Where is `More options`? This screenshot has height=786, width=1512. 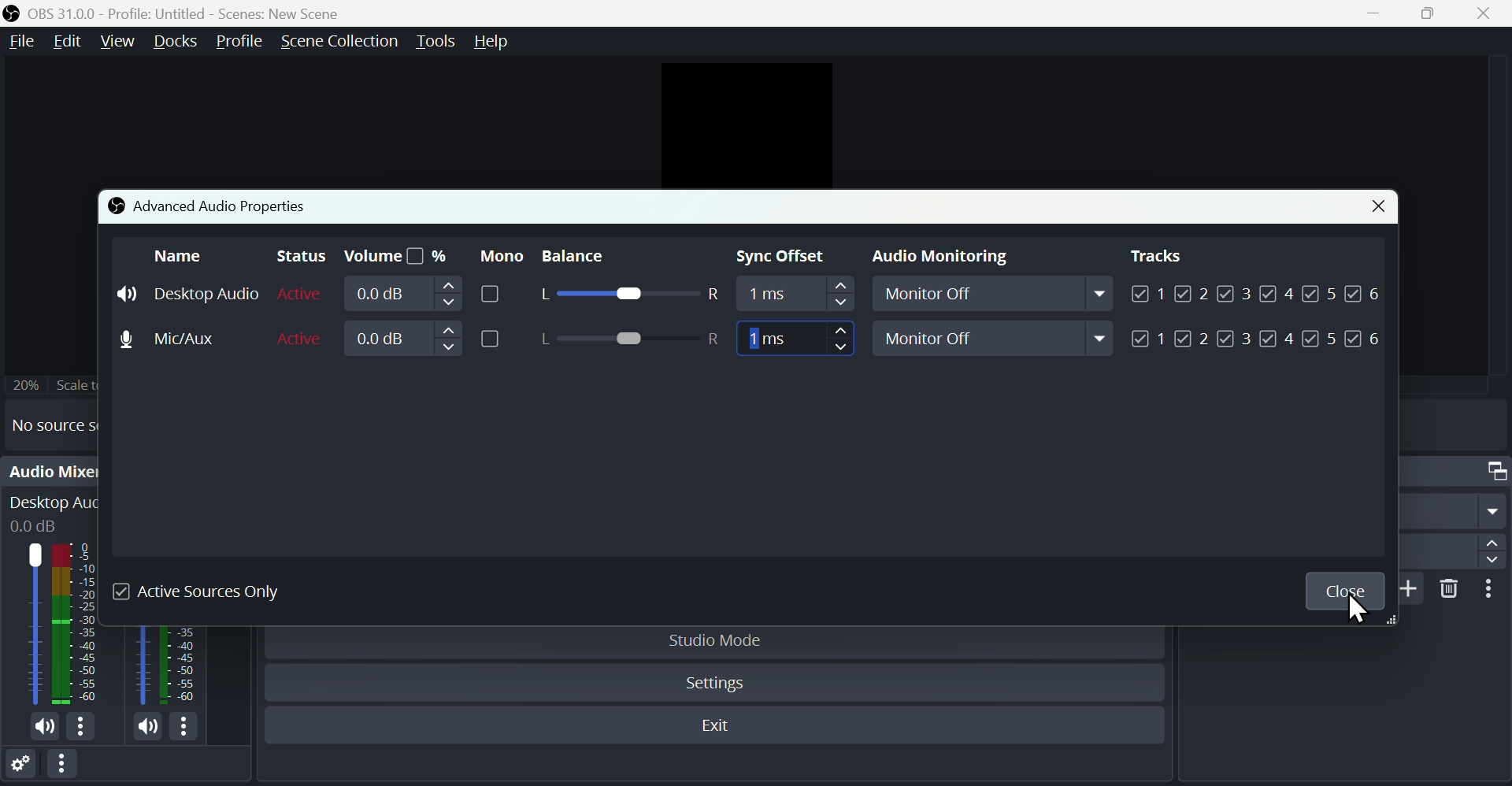
More options is located at coordinates (1494, 590).